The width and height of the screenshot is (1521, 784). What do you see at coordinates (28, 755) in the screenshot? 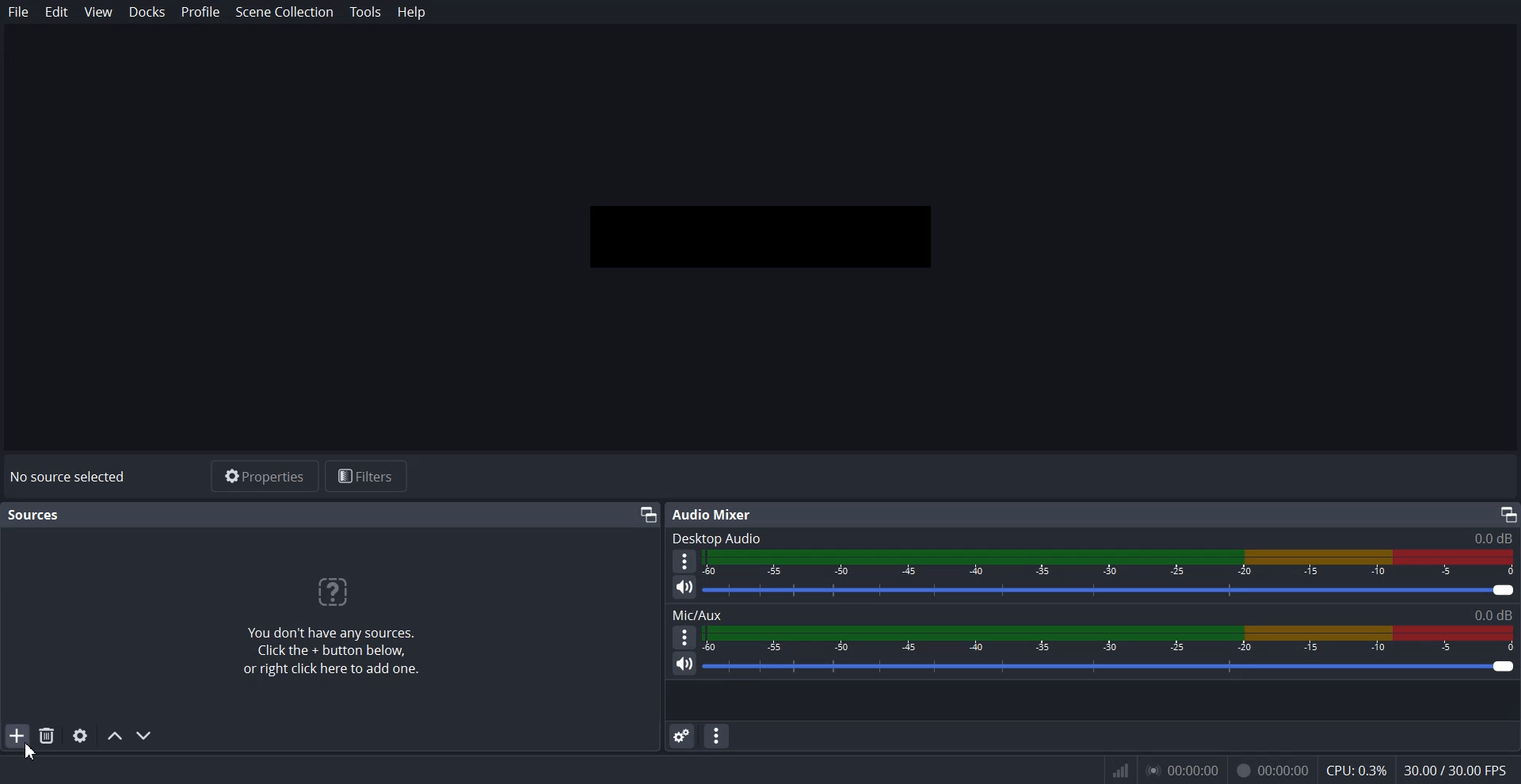
I see `Cursor` at bounding box center [28, 755].